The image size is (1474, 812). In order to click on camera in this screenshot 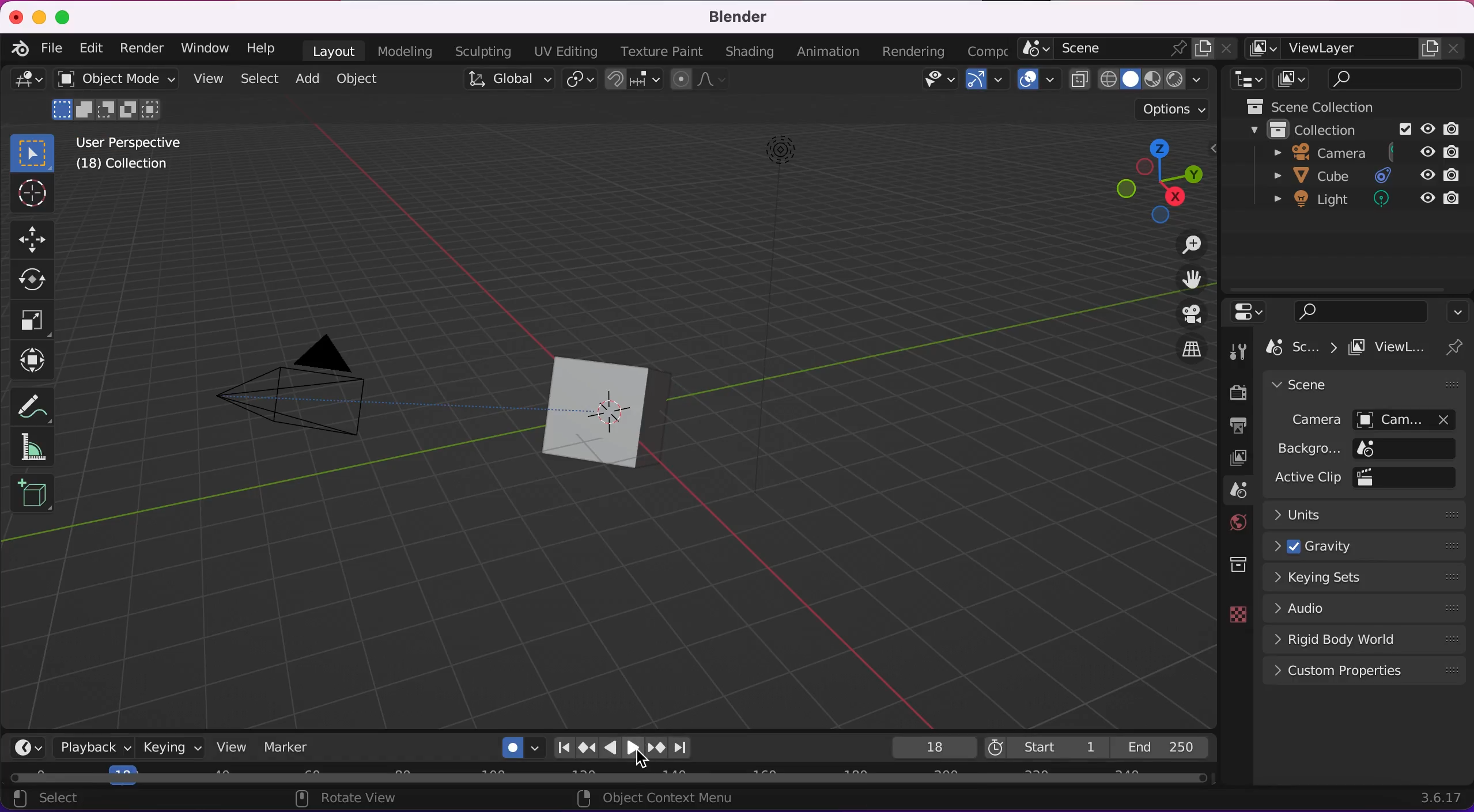, I will do `click(1351, 153)`.